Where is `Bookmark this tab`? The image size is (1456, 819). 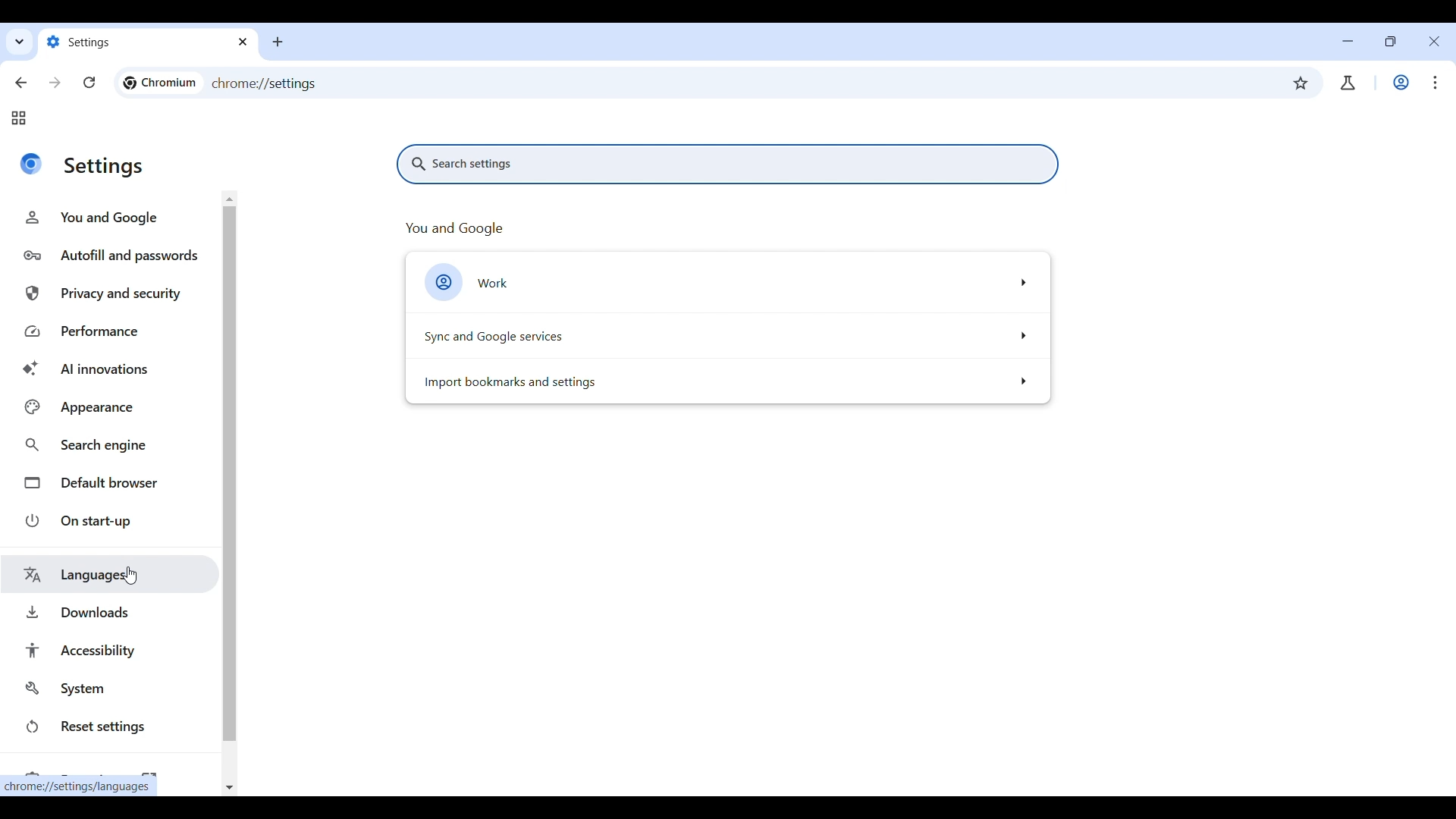 Bookmark this tab is located at coordinates (1301, 83).